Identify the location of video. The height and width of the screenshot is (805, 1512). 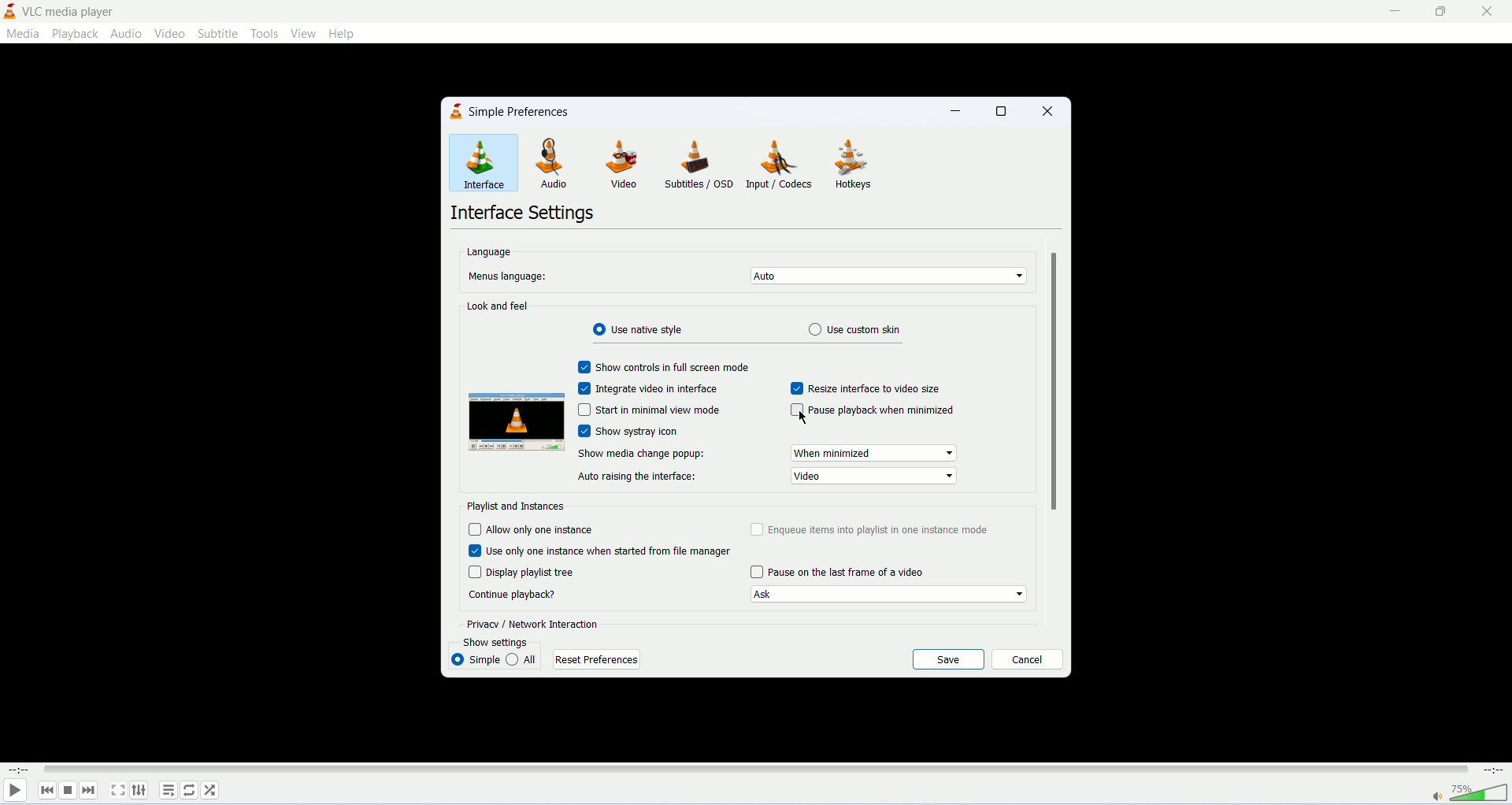
(172, 32).